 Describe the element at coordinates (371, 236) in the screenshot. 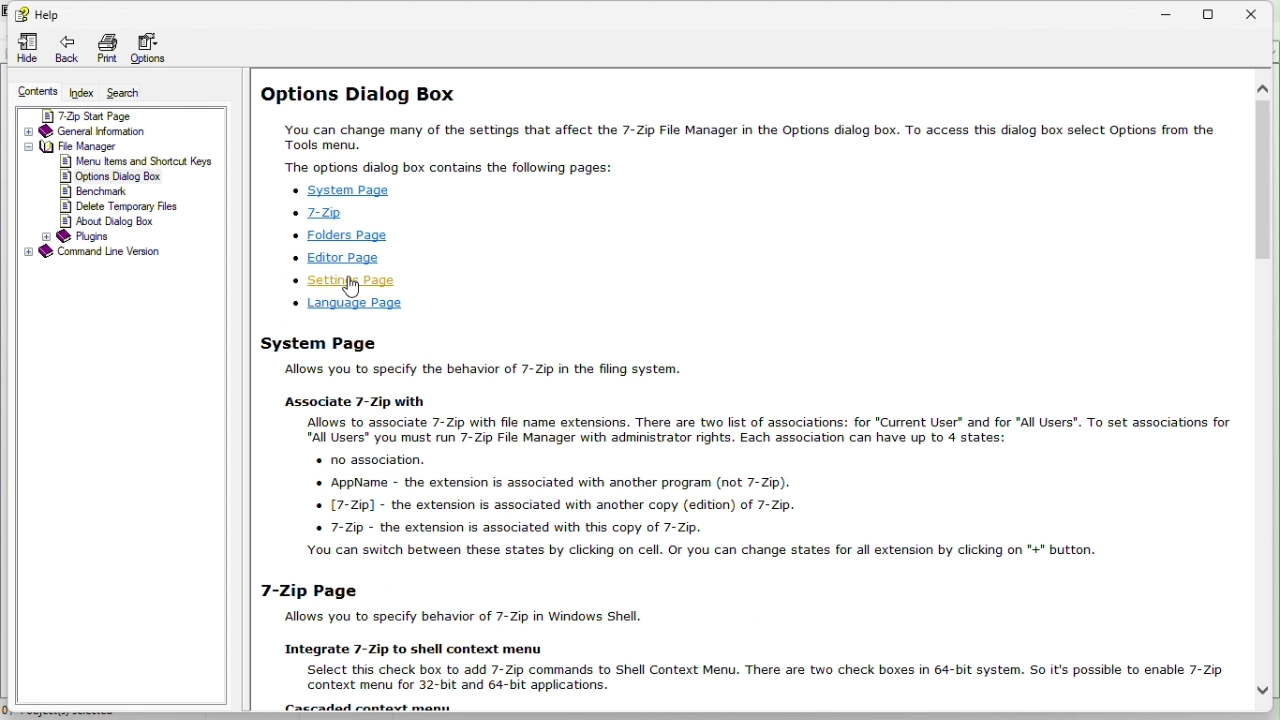

I see `folders page` at that location.